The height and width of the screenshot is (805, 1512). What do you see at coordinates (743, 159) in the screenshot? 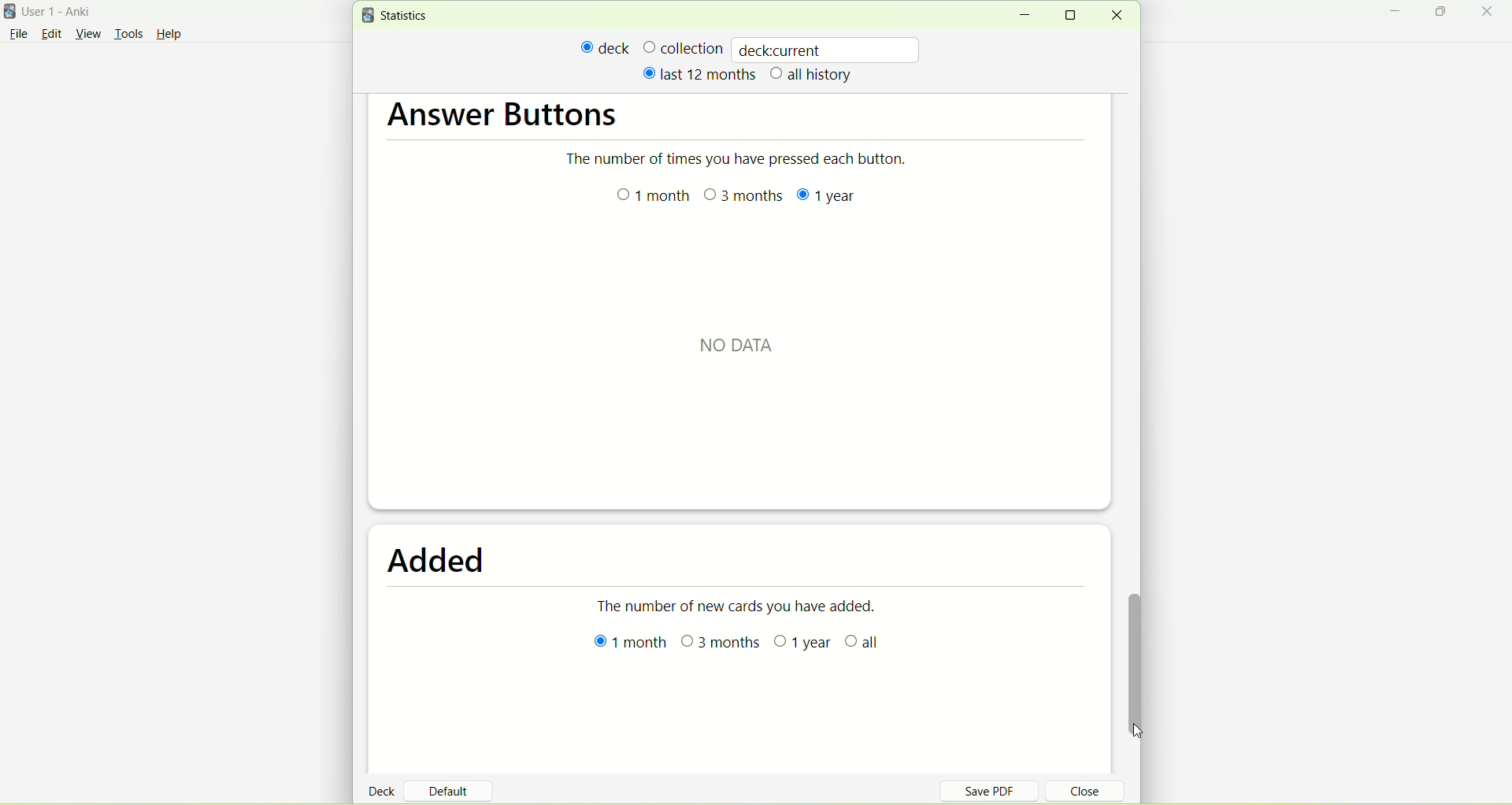
I see `The number of times you have pressed each button.` at bounding box center [743, 159].